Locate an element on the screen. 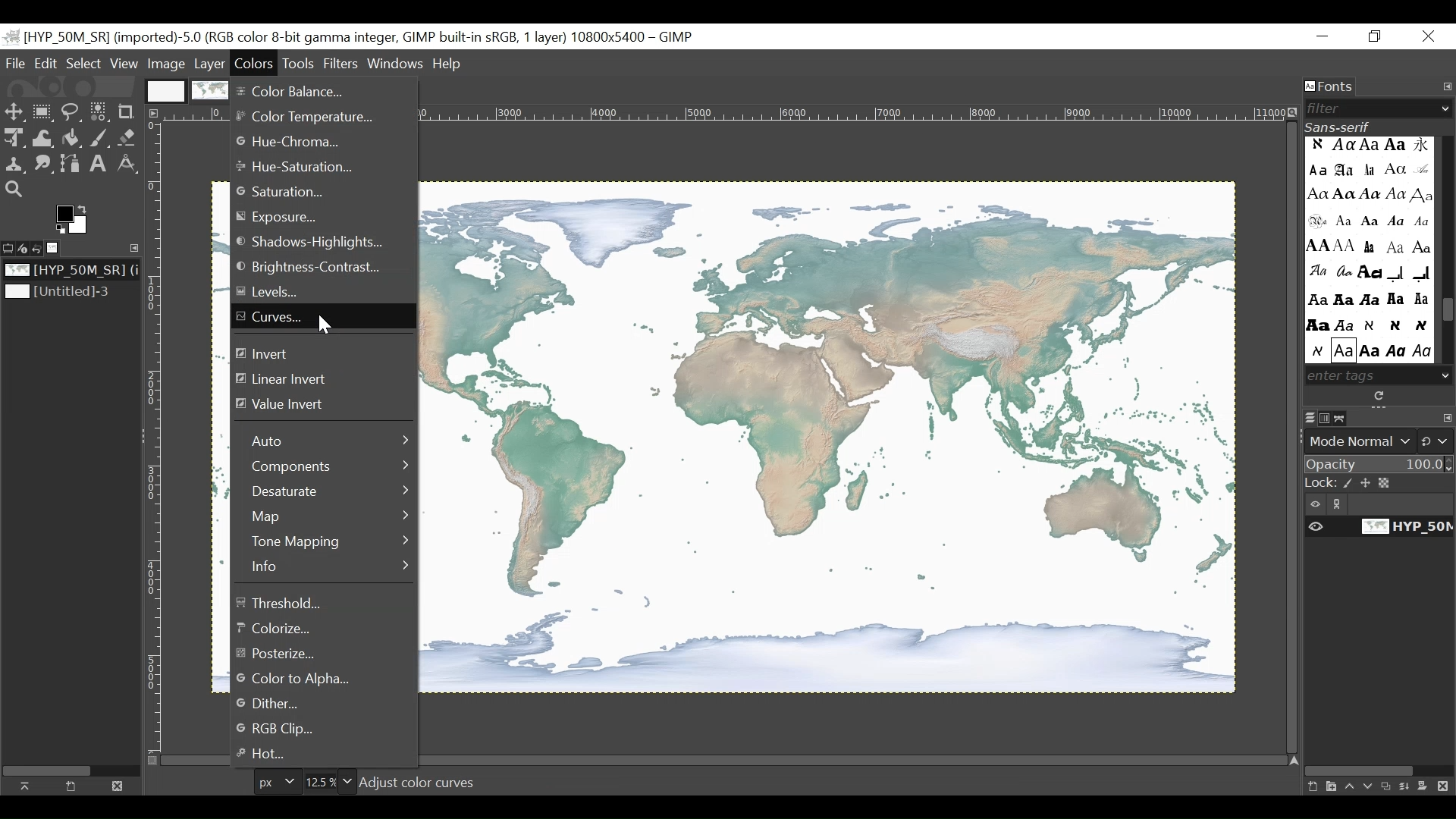 This screenshot has height=819, width=1456. Device status is located at coordinates (25, 247).